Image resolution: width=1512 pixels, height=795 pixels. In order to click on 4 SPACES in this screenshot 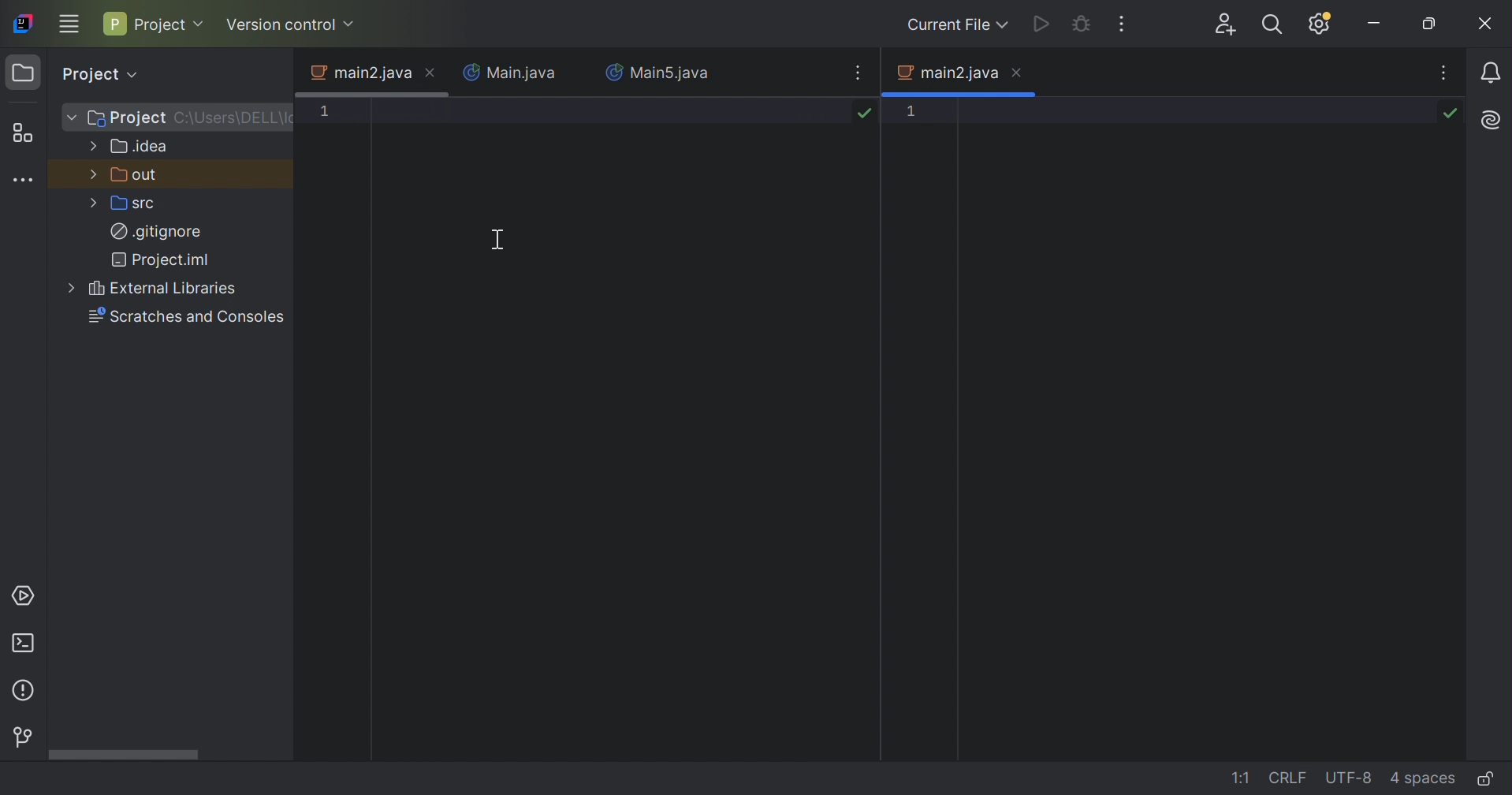, I will do `click(1423, 778)`.